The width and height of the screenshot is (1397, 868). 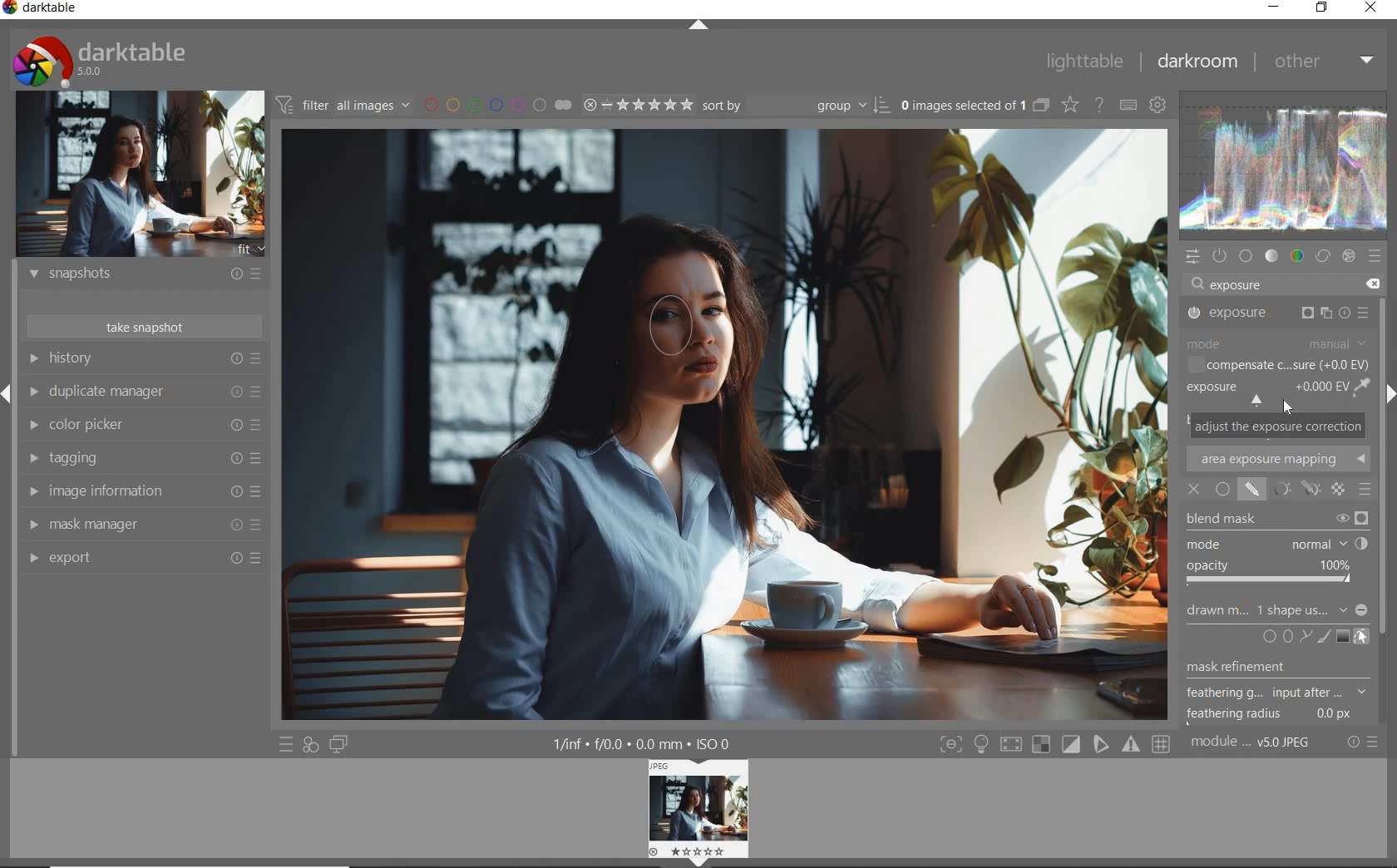 What do you see at coordinates (1376, 255) in the screenshot?
I see `presets` at bounding box center [1376, 255].